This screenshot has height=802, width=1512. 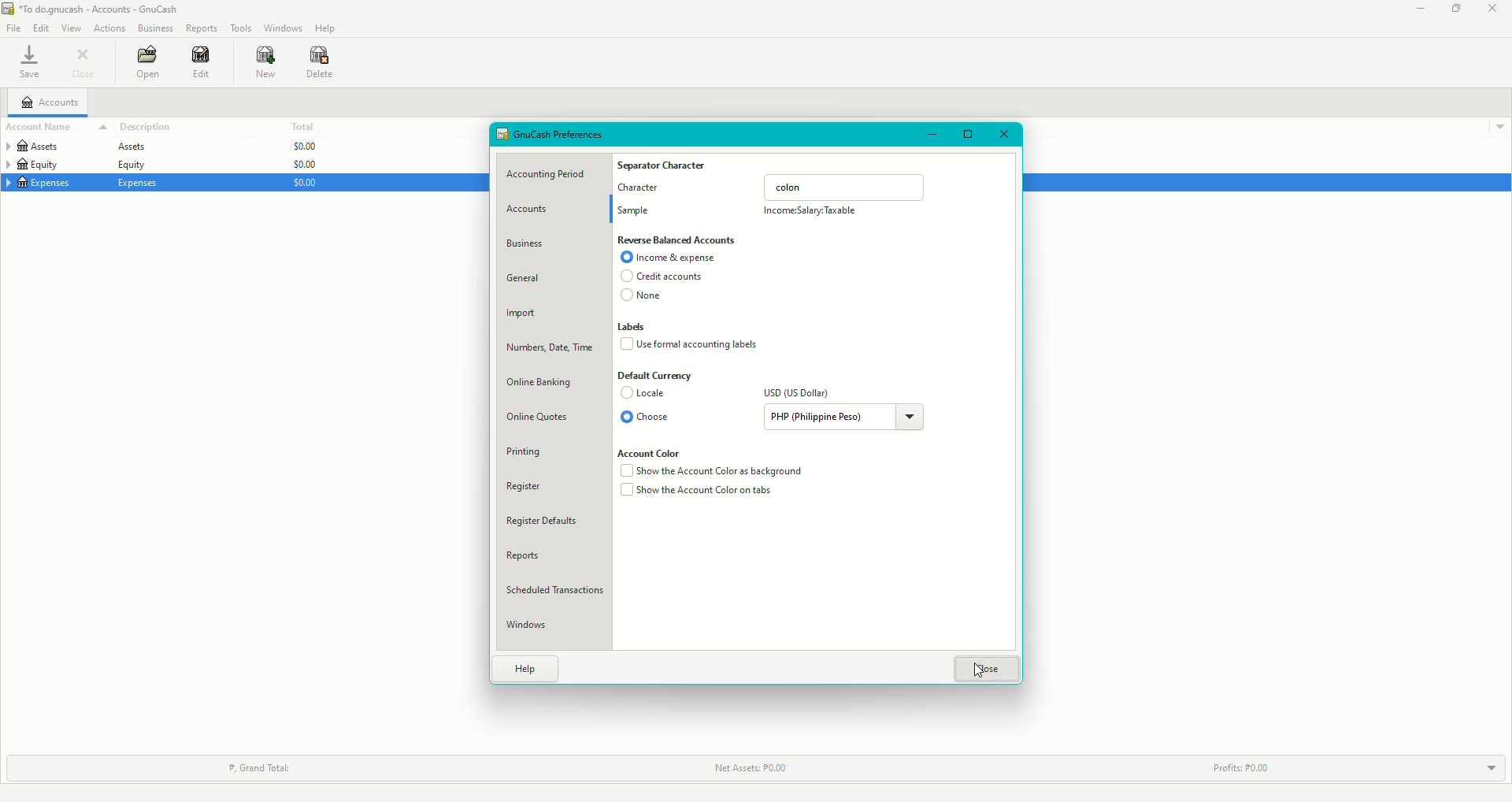 What do you see at coordinates (846, 186) in the screenshot?
I see `colon` at bounding box center [846, 186].